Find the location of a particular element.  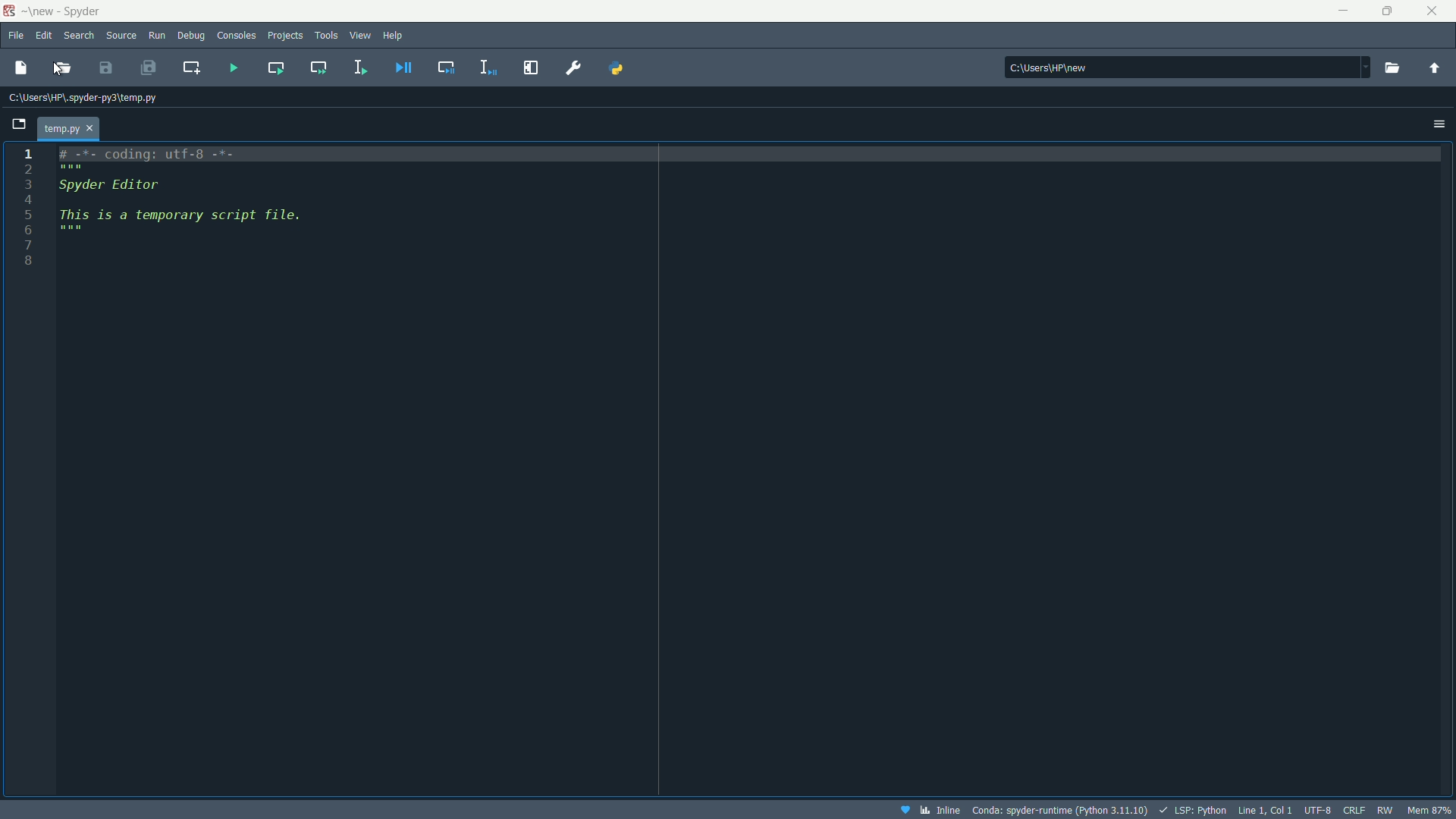

File directory is located at coordinates (86, 99).